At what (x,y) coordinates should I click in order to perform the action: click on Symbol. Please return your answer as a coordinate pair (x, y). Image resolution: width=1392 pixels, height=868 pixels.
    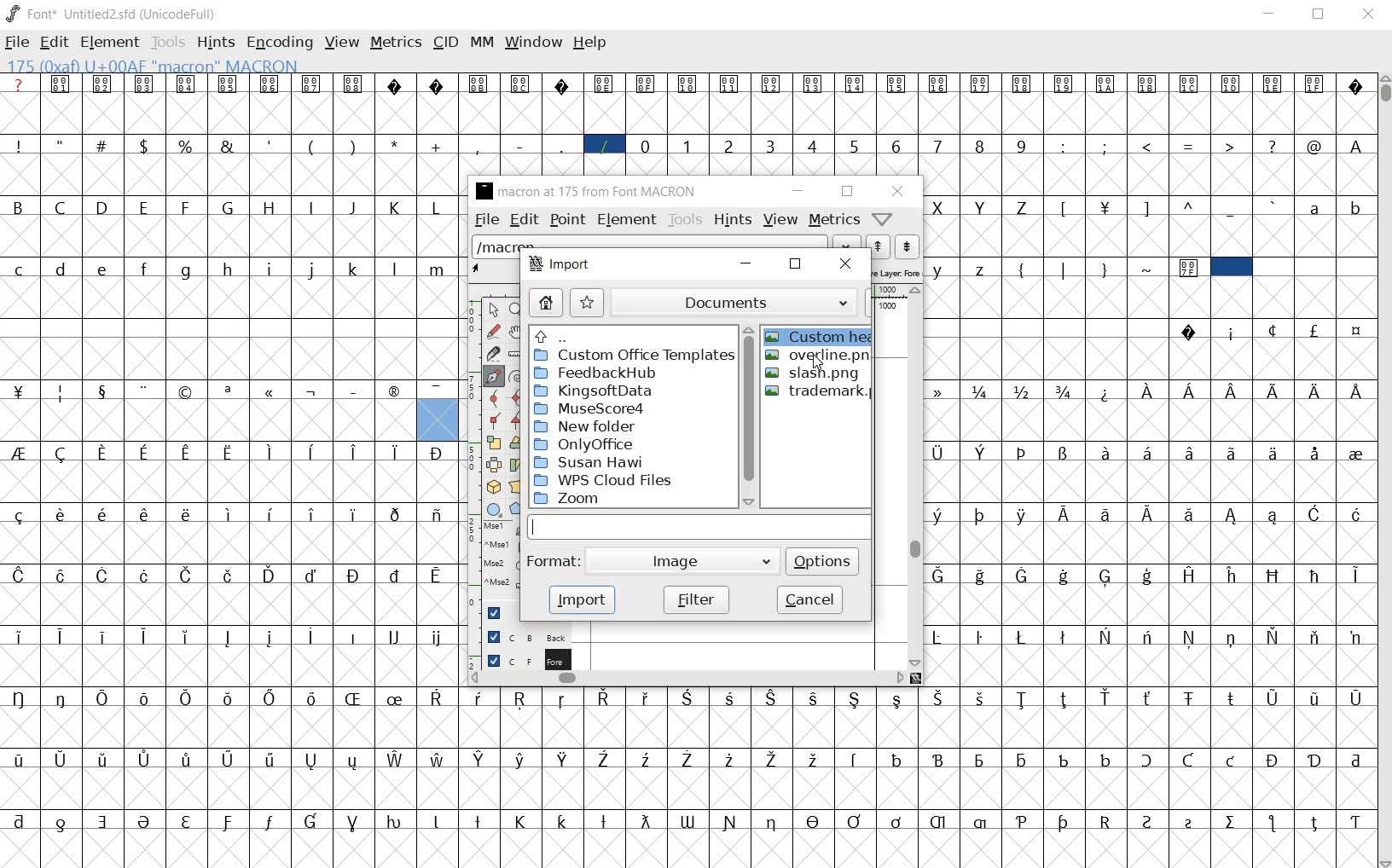
    Looking at the image, I should click on (1105, 513).